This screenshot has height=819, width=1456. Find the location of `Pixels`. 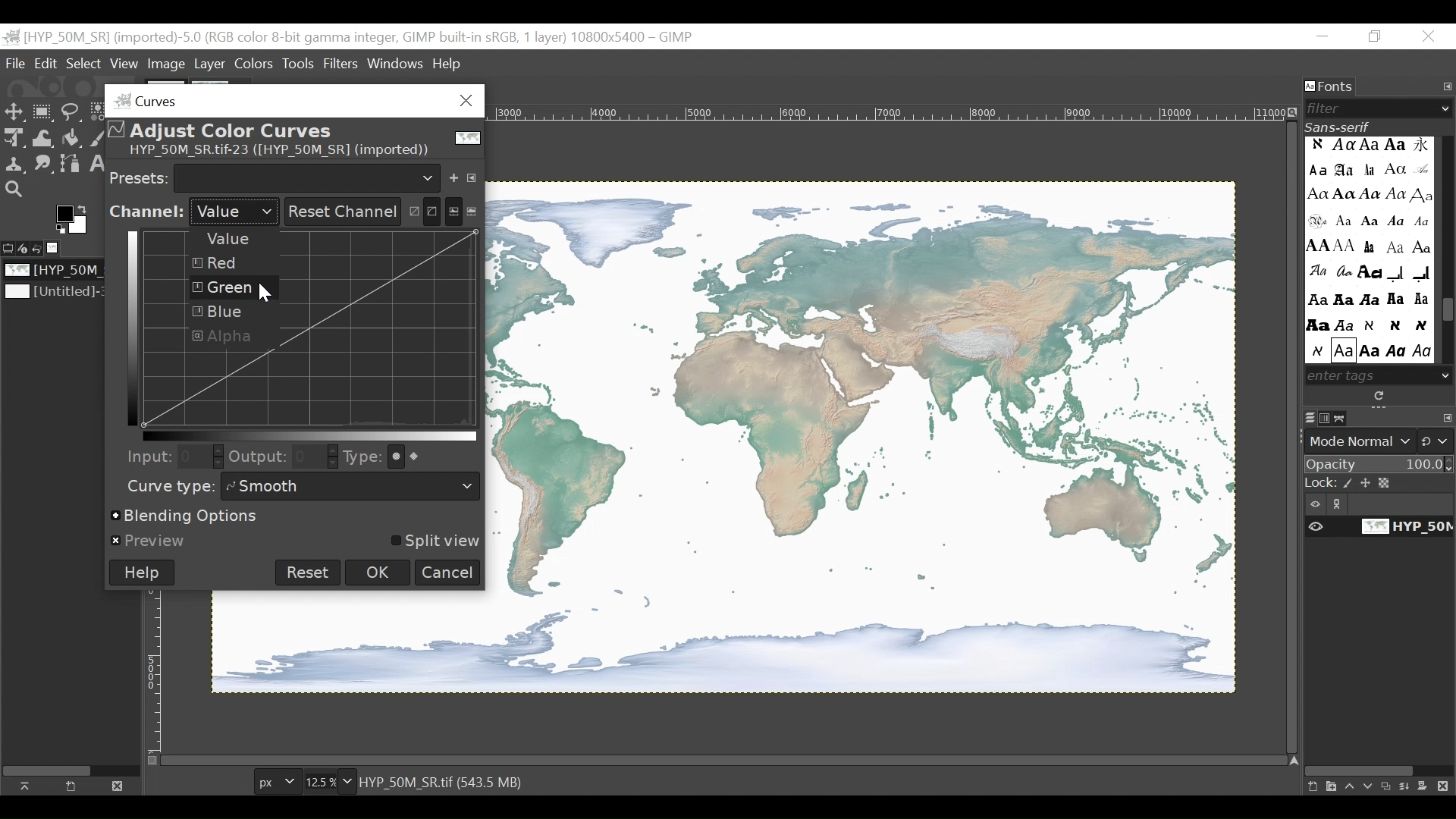

Pixels is located at coordinates (275, 783).